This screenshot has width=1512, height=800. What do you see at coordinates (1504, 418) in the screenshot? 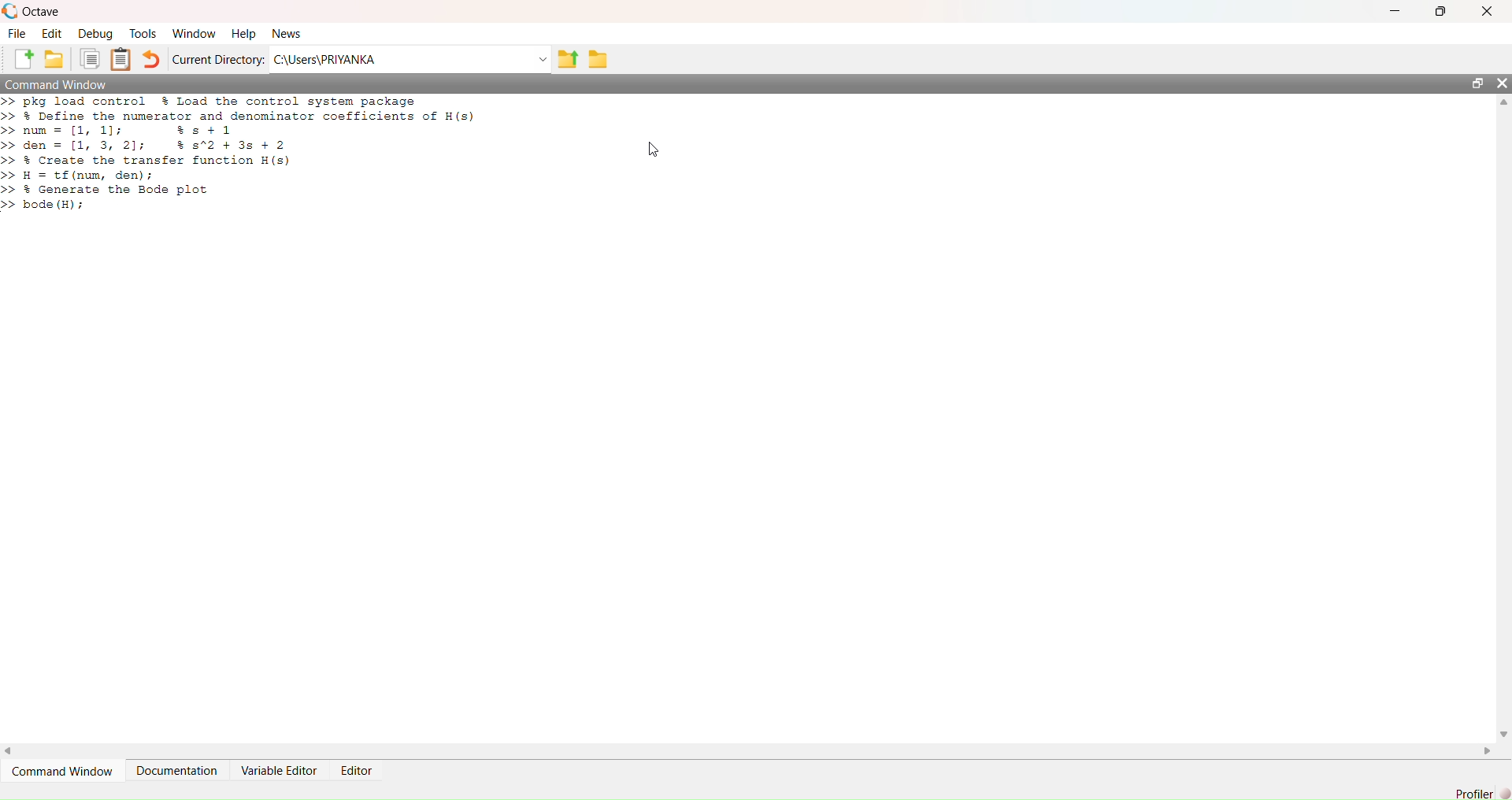
I see `vertical scroll bar` at bounding box center [1504, 418].